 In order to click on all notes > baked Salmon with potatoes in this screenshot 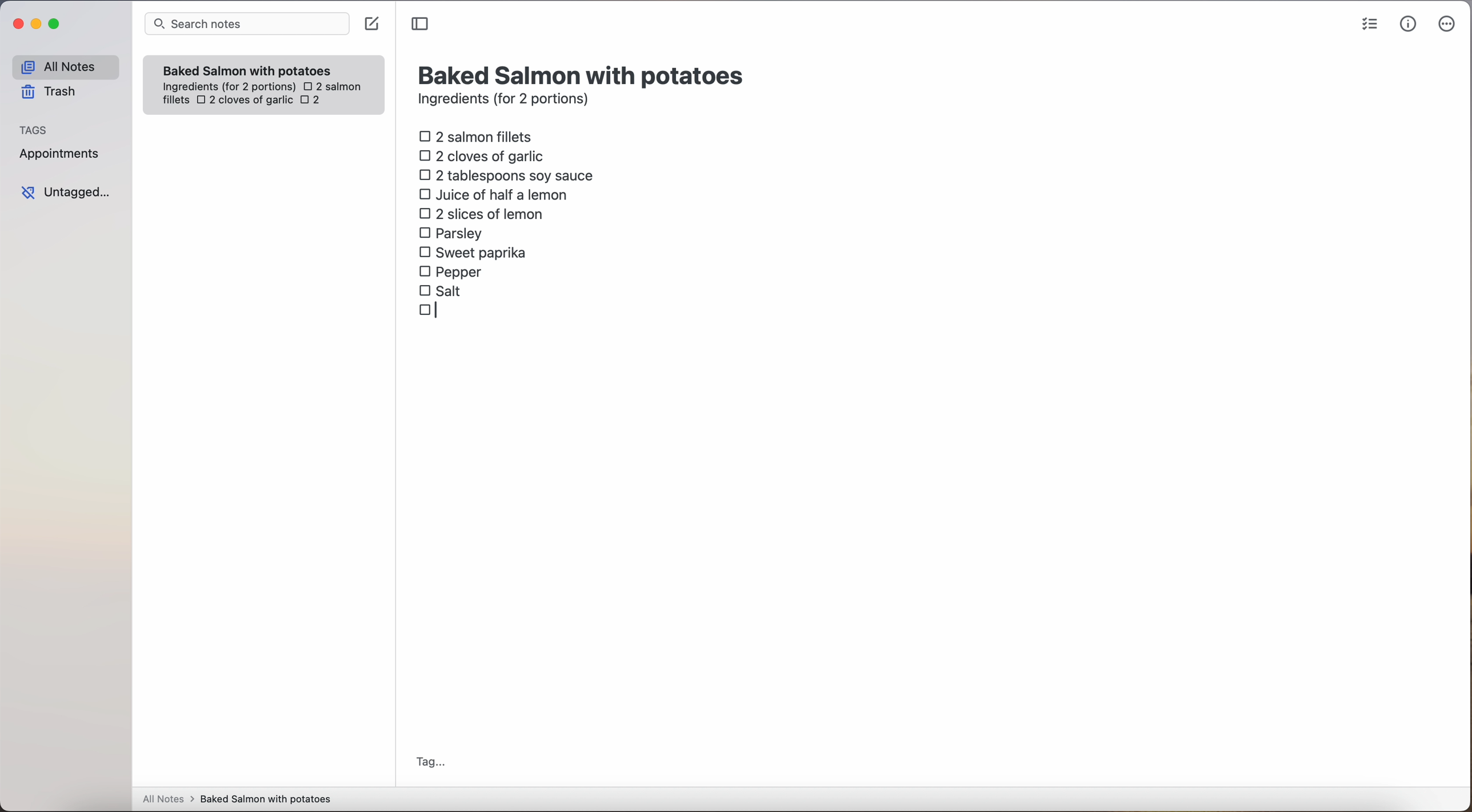, I will do `click(237, 798)`.